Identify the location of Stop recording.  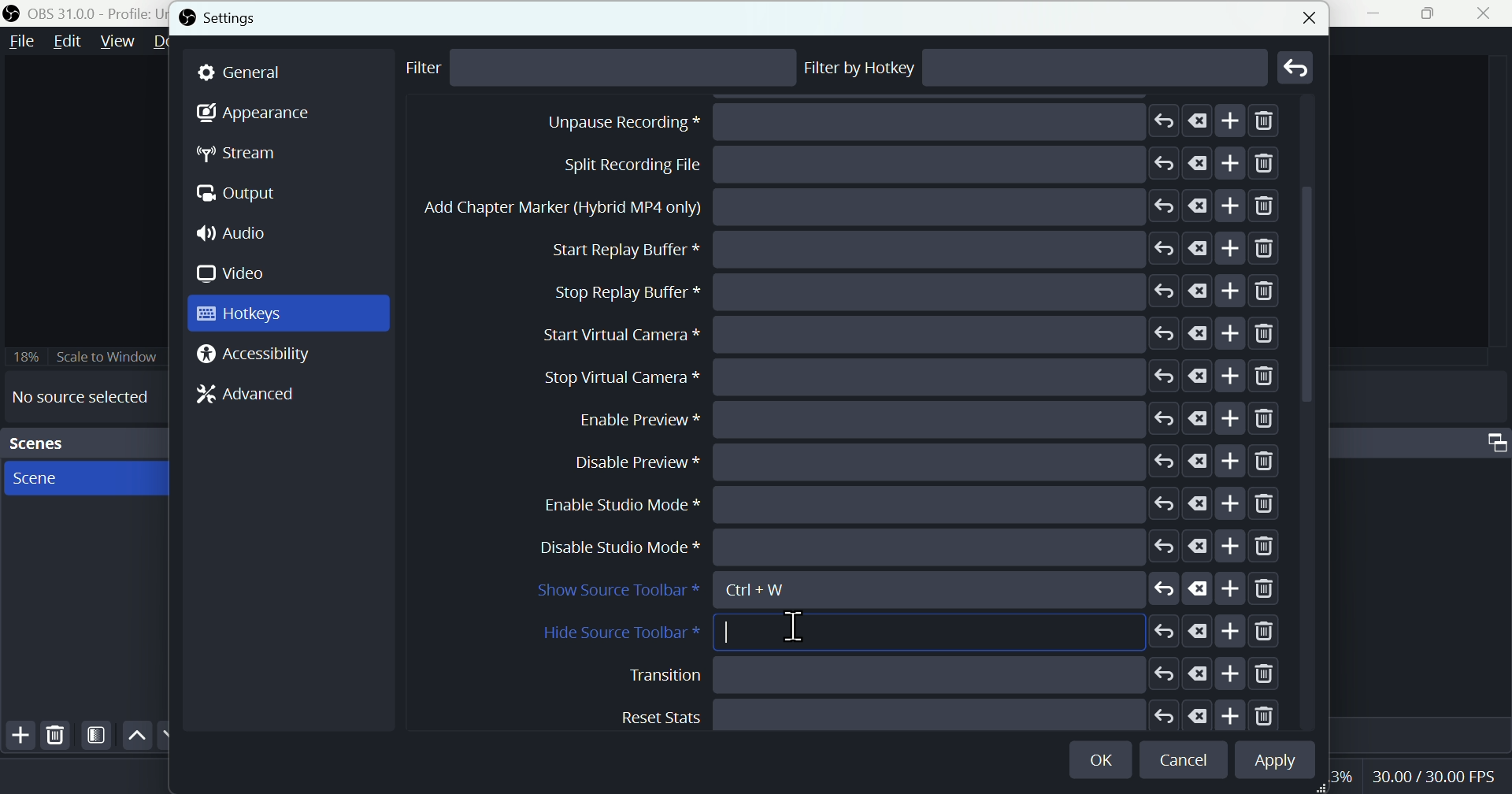
(854, 209).